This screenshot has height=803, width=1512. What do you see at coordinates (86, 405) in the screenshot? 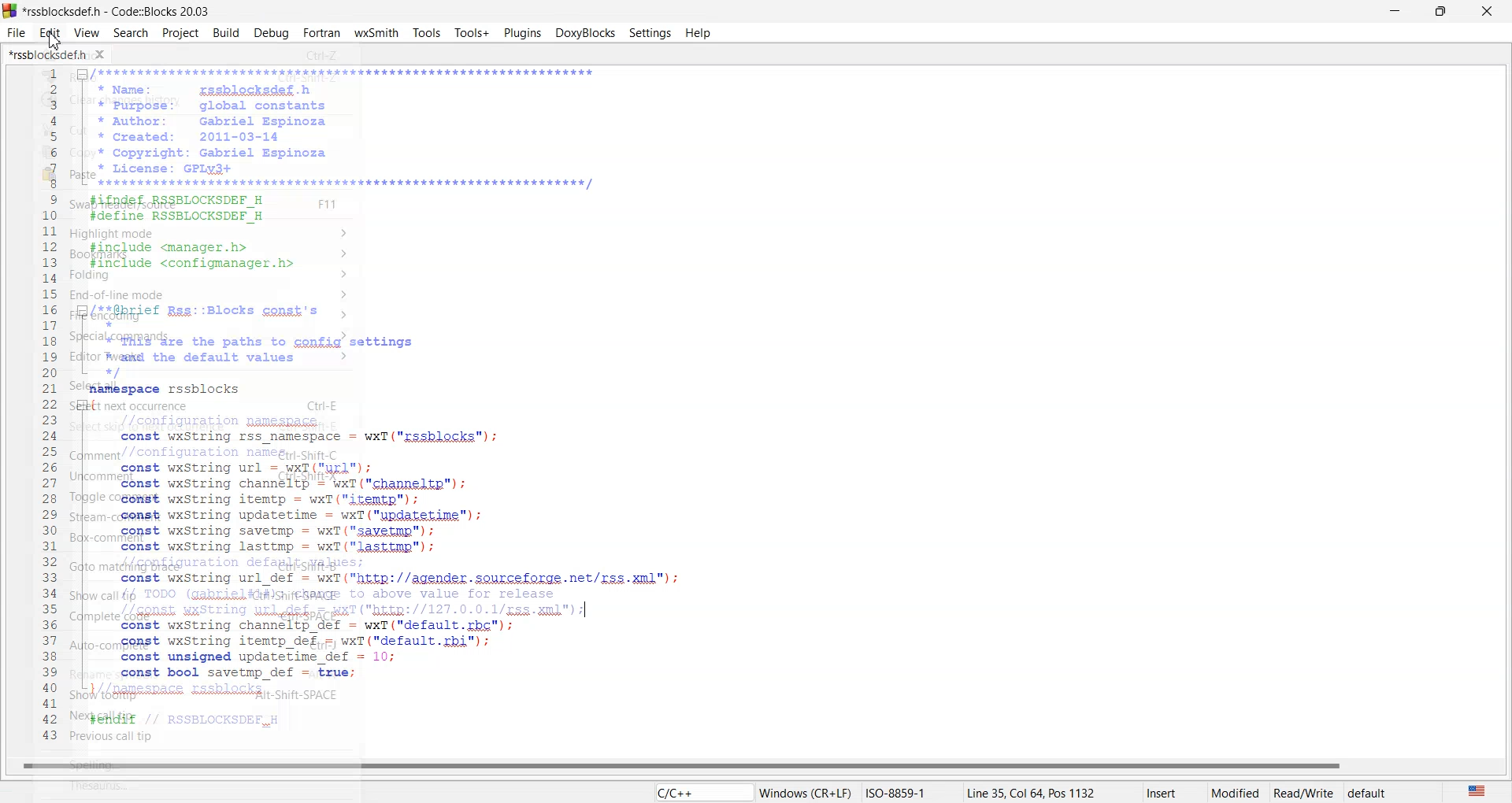
I see `minimize` at bounding box center [86, 405].